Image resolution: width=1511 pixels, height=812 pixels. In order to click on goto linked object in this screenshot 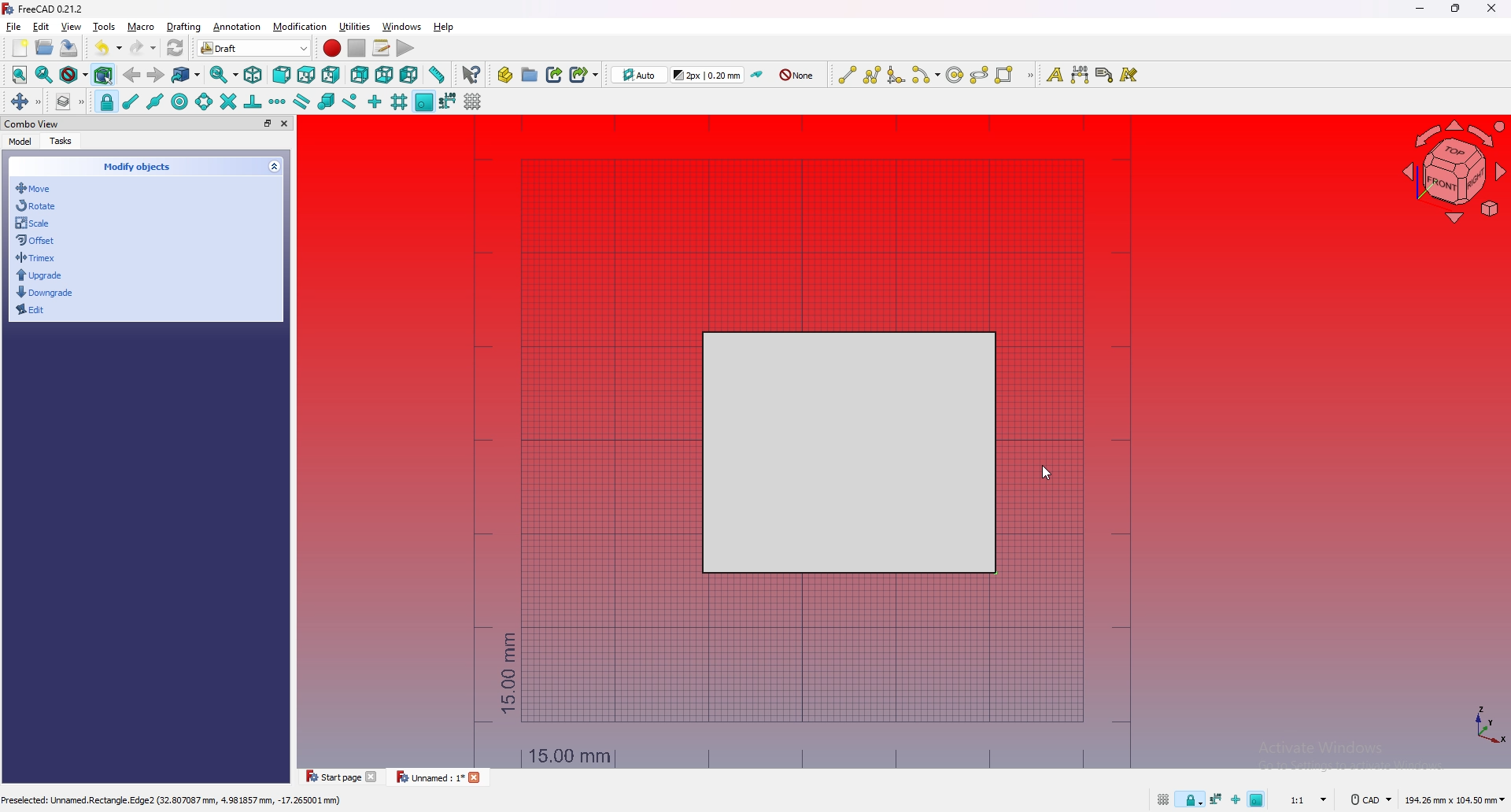, I will do `click(187, 76)`.